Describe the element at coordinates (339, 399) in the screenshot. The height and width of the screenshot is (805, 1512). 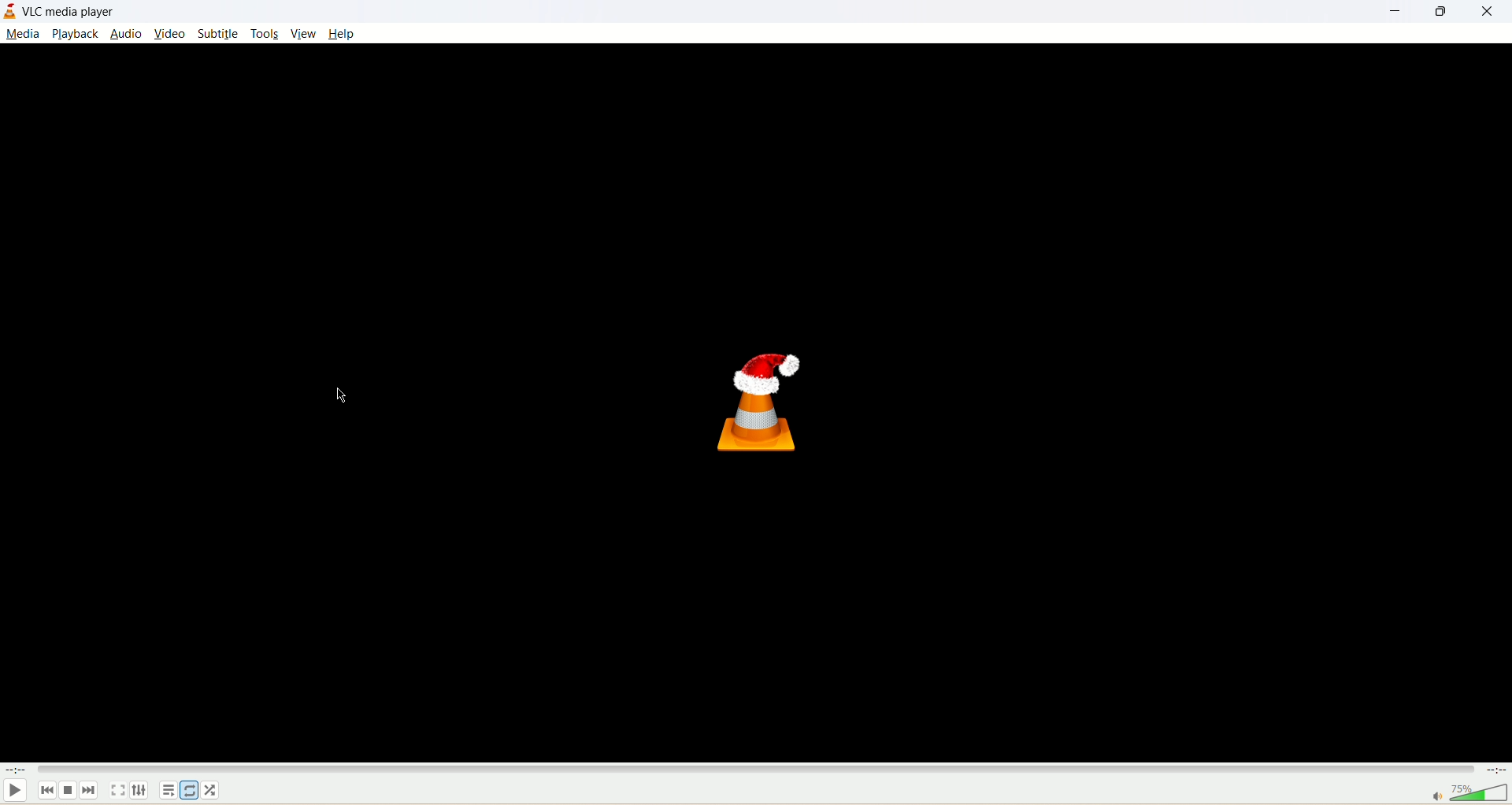
I see `cursor` at that location.